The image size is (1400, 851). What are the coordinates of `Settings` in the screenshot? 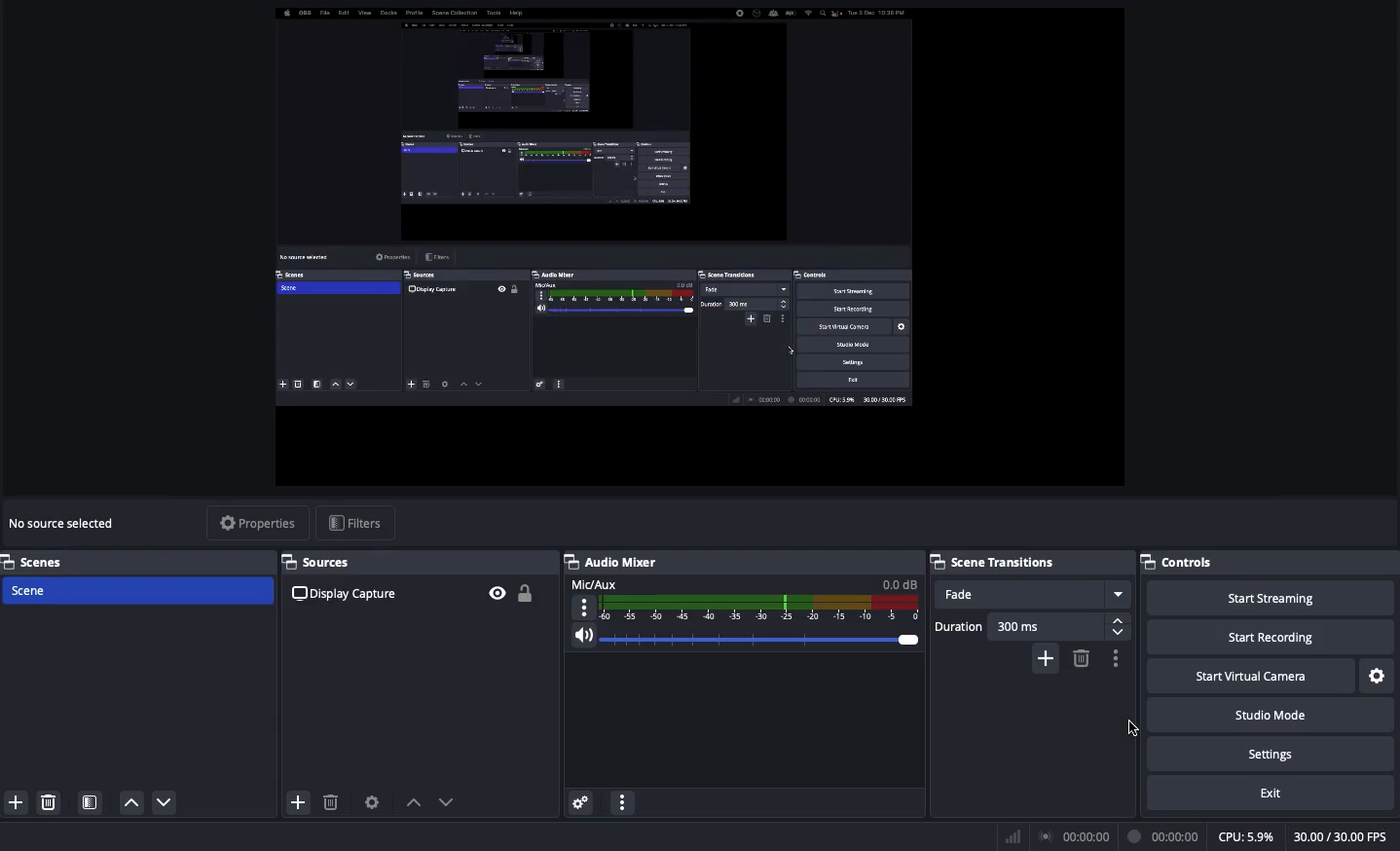 It's located at (1379, 674).